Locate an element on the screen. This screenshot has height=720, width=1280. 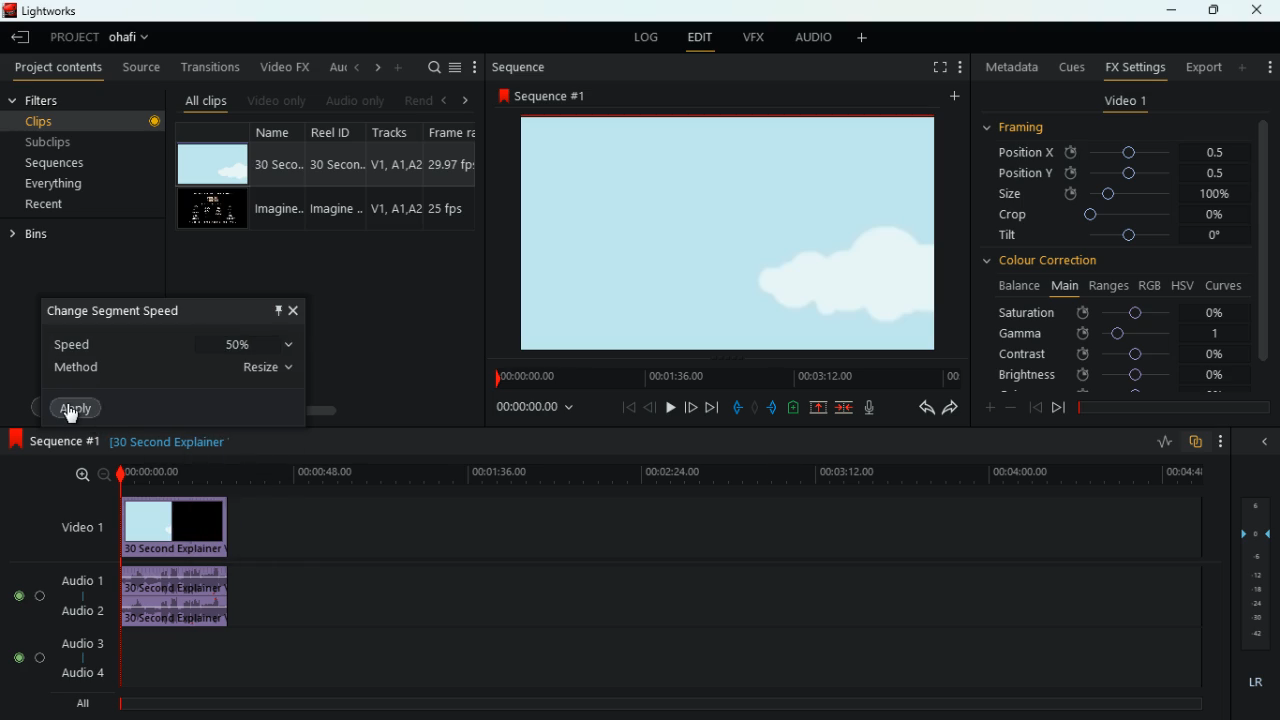
end is located at coordinates (714, 407).